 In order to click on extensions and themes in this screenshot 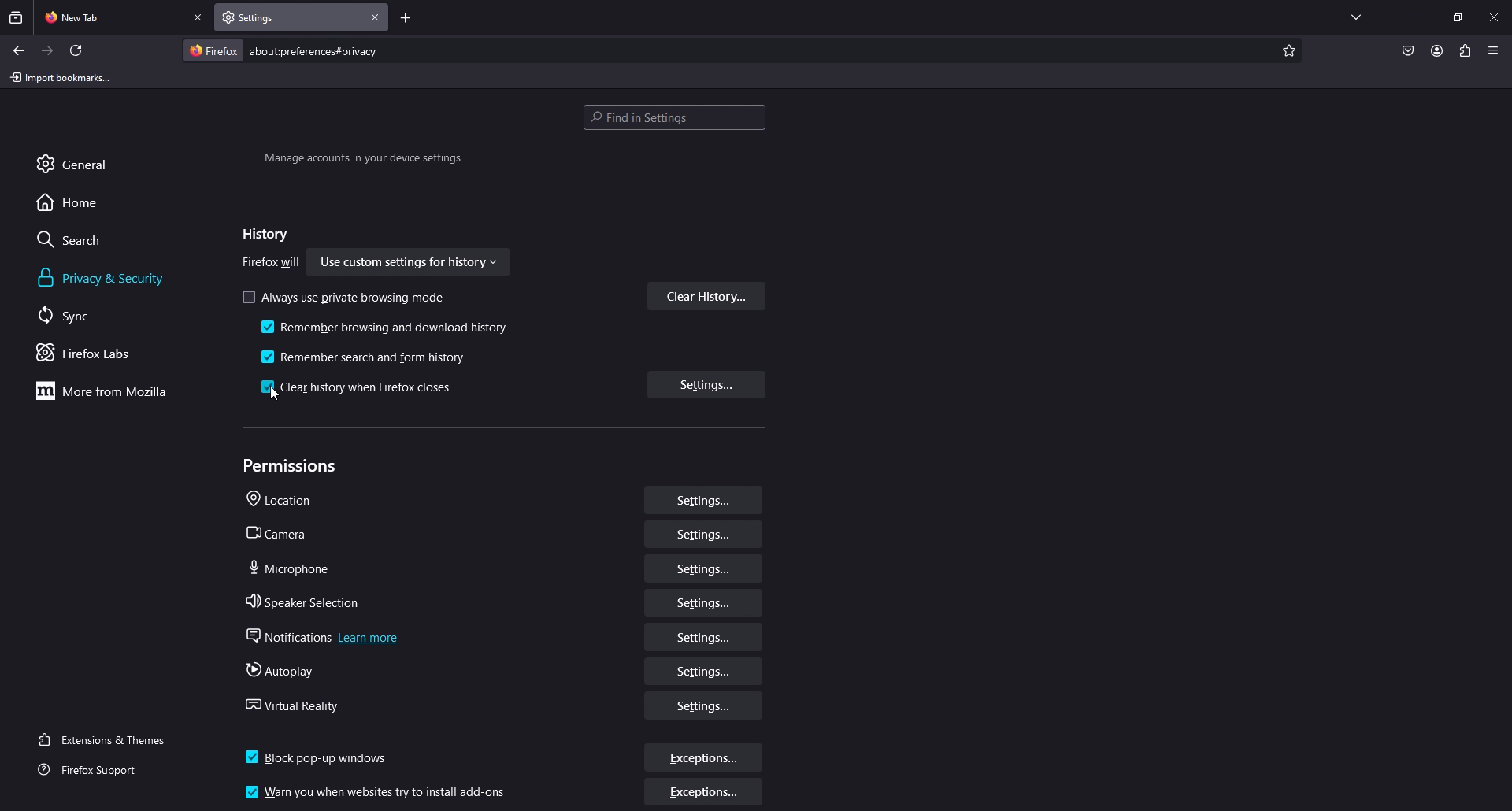, I will do `click(112, 738)`.